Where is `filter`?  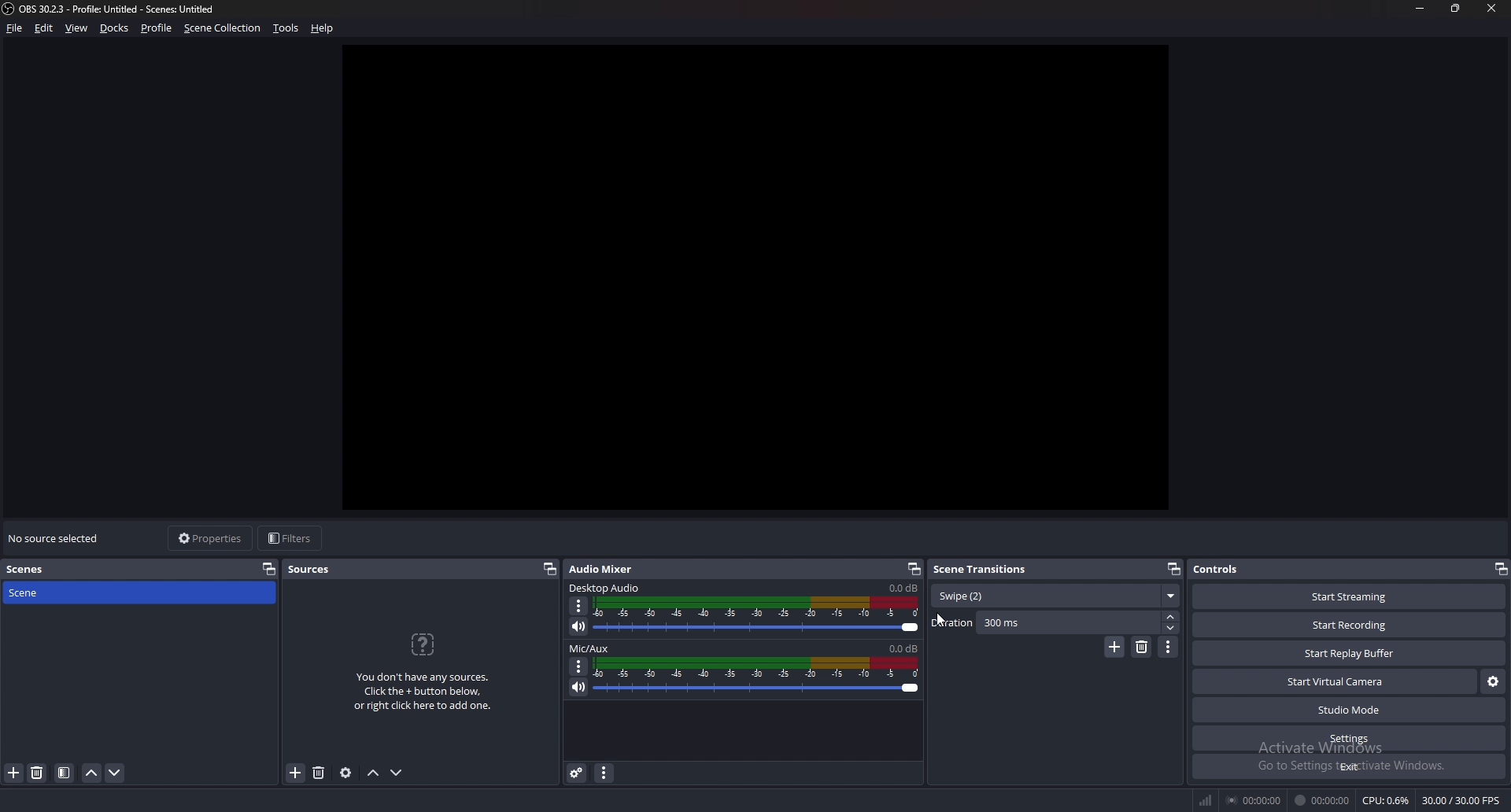
filter is located at coordinates (64, 773).